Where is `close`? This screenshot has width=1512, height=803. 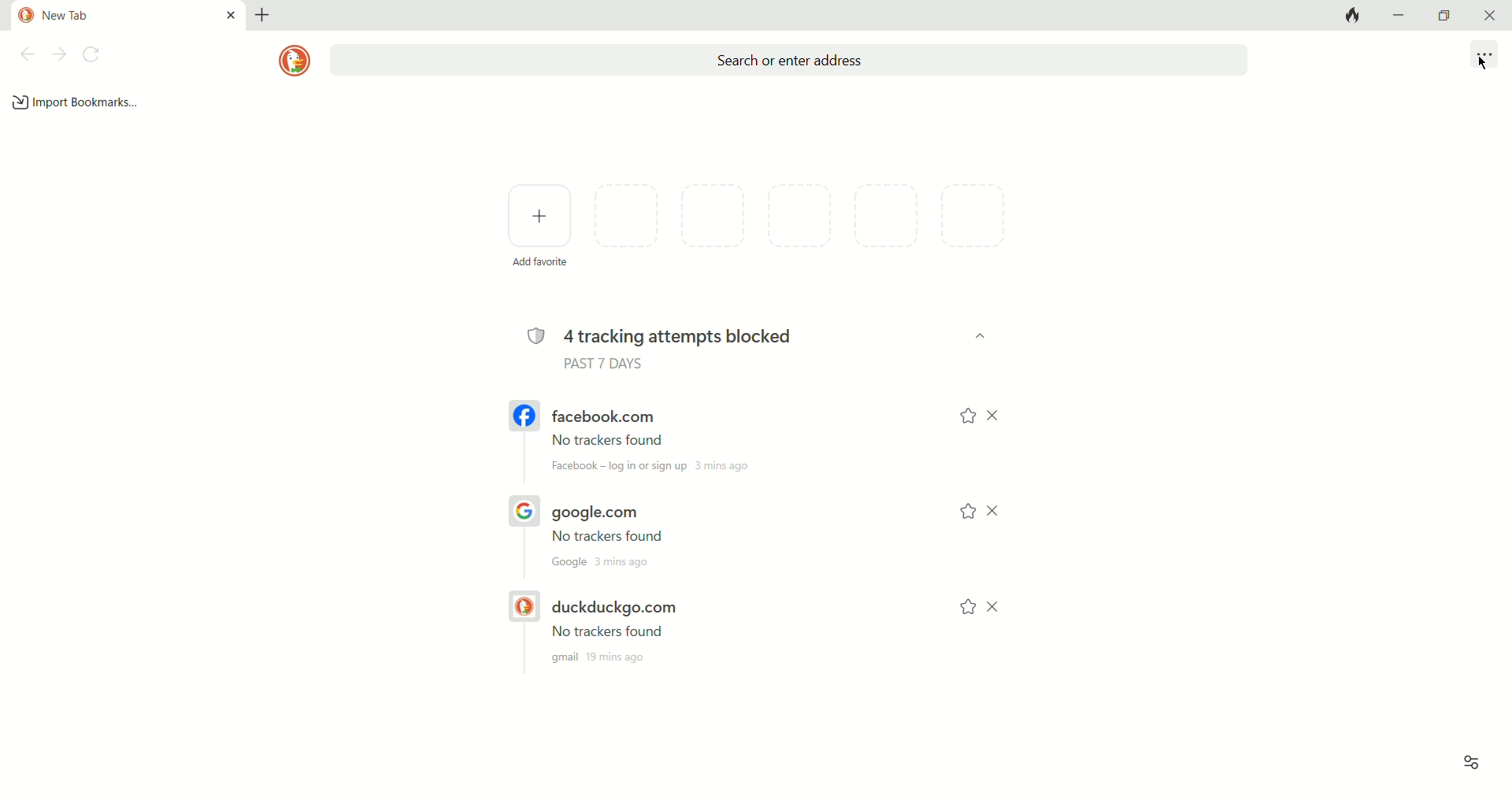 close is located at coordinates (1000, 415).